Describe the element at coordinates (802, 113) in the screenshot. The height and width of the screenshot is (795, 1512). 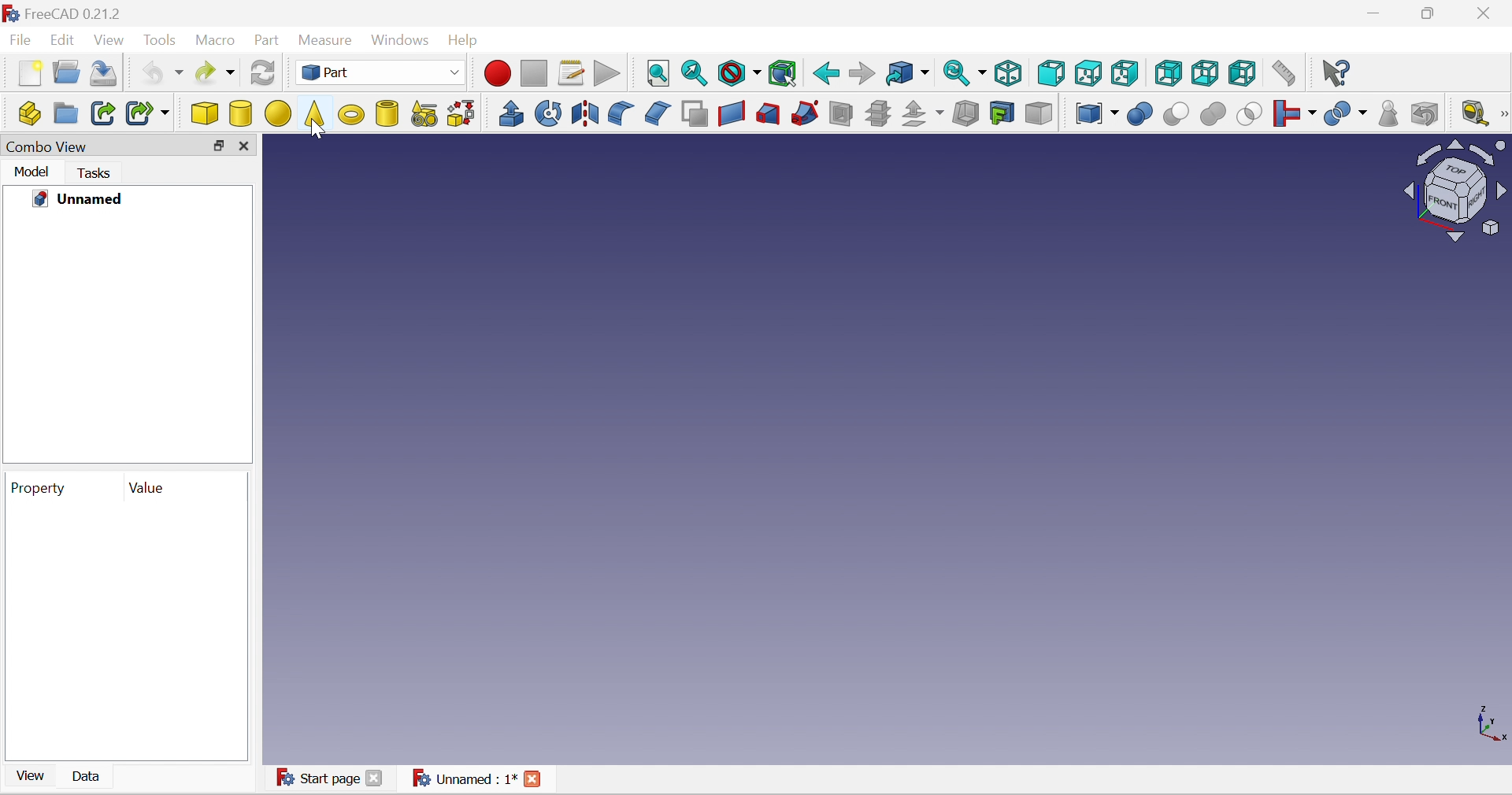
I see `Sweep` at that location.